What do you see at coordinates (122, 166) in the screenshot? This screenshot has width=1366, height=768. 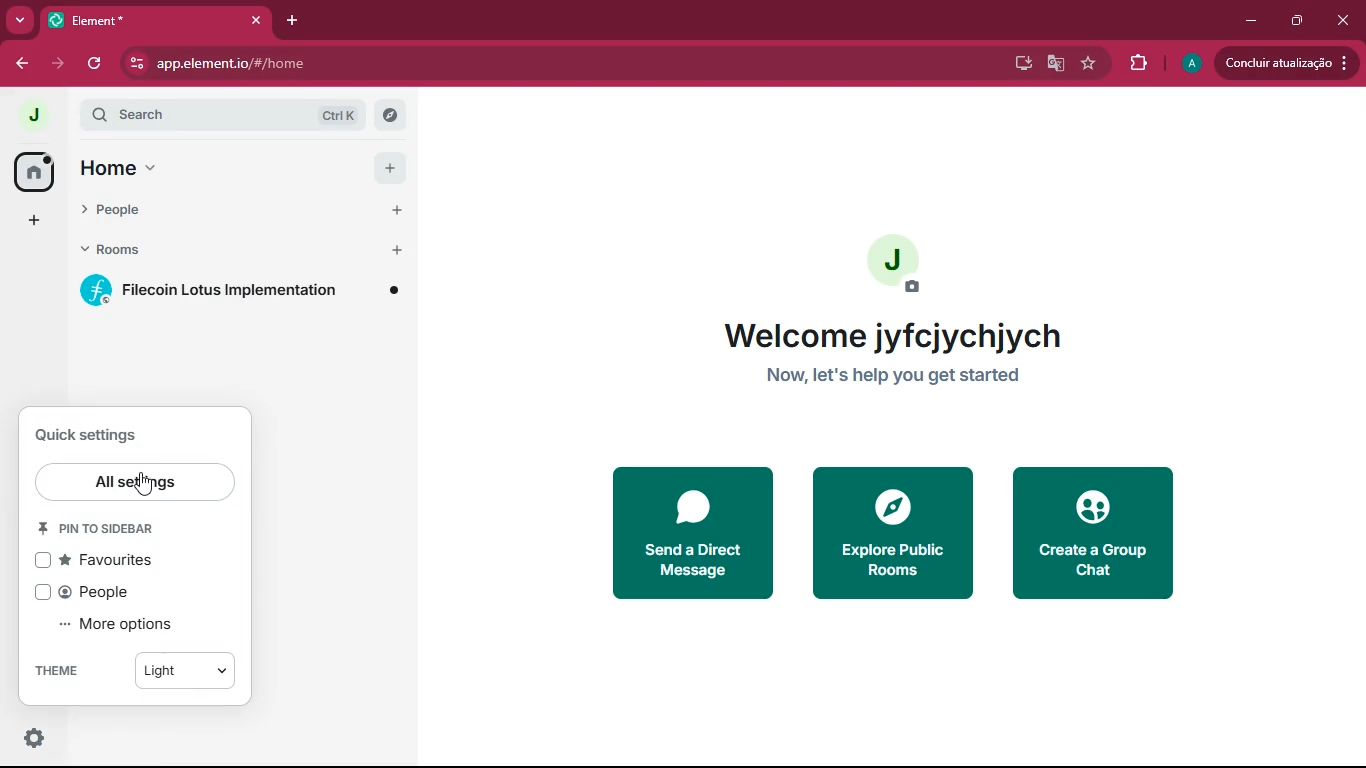 I see `home` at bounding box center [122, 166].